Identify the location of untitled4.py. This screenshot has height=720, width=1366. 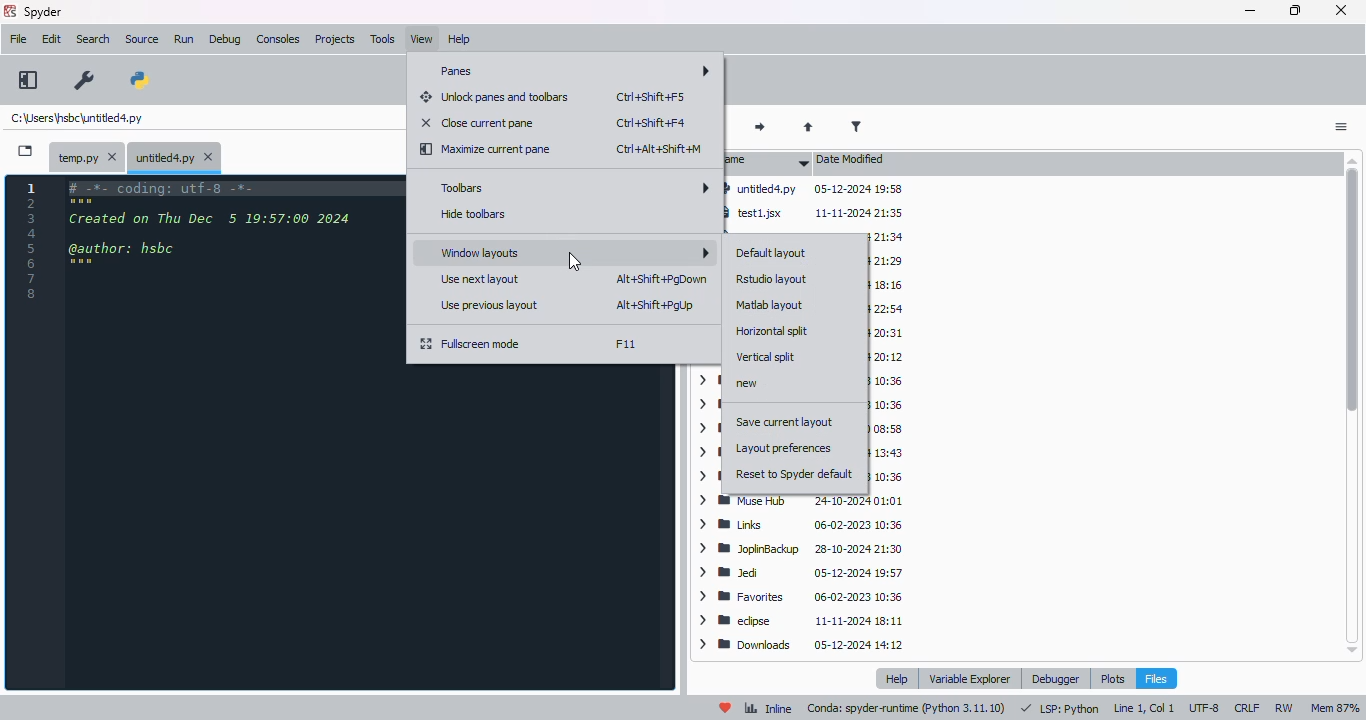
(814, 187).